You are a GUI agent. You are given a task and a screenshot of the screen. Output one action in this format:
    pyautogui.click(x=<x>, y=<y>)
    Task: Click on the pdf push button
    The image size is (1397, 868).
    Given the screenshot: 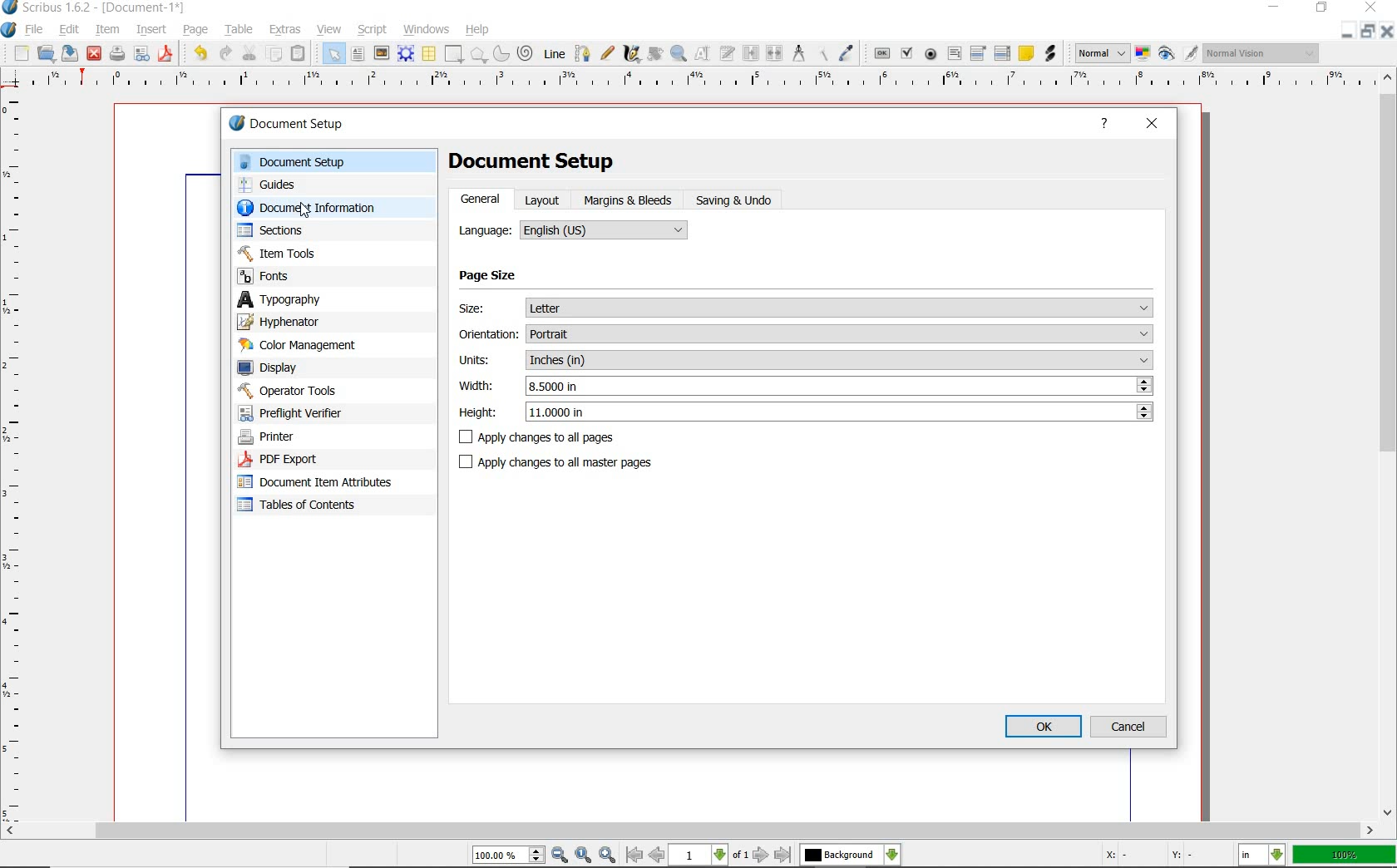 What is the action you would take?
    pyautogui.click(x=881, y=53)
    